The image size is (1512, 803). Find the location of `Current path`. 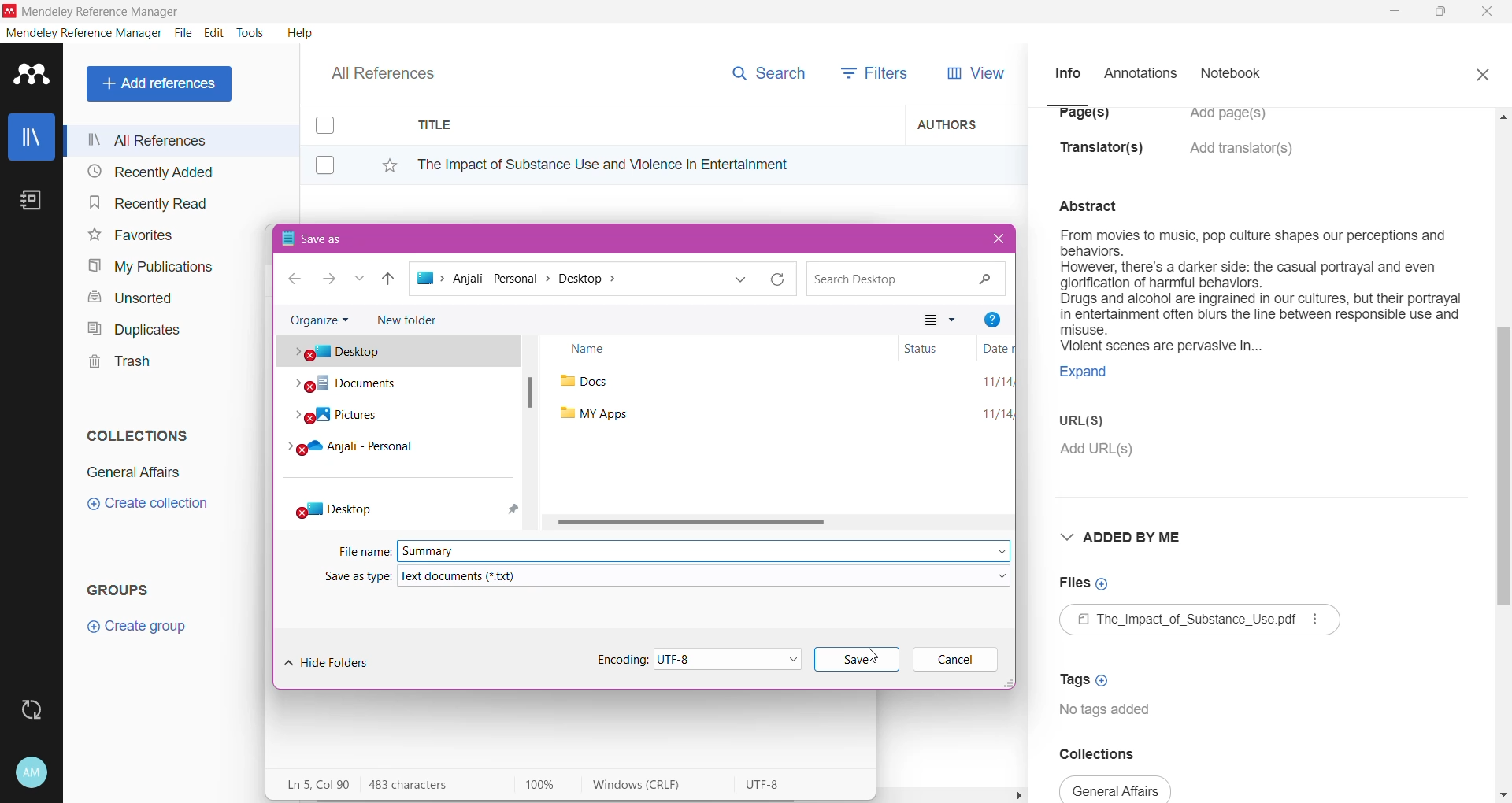

Current path is located at coordinates (565, 280).